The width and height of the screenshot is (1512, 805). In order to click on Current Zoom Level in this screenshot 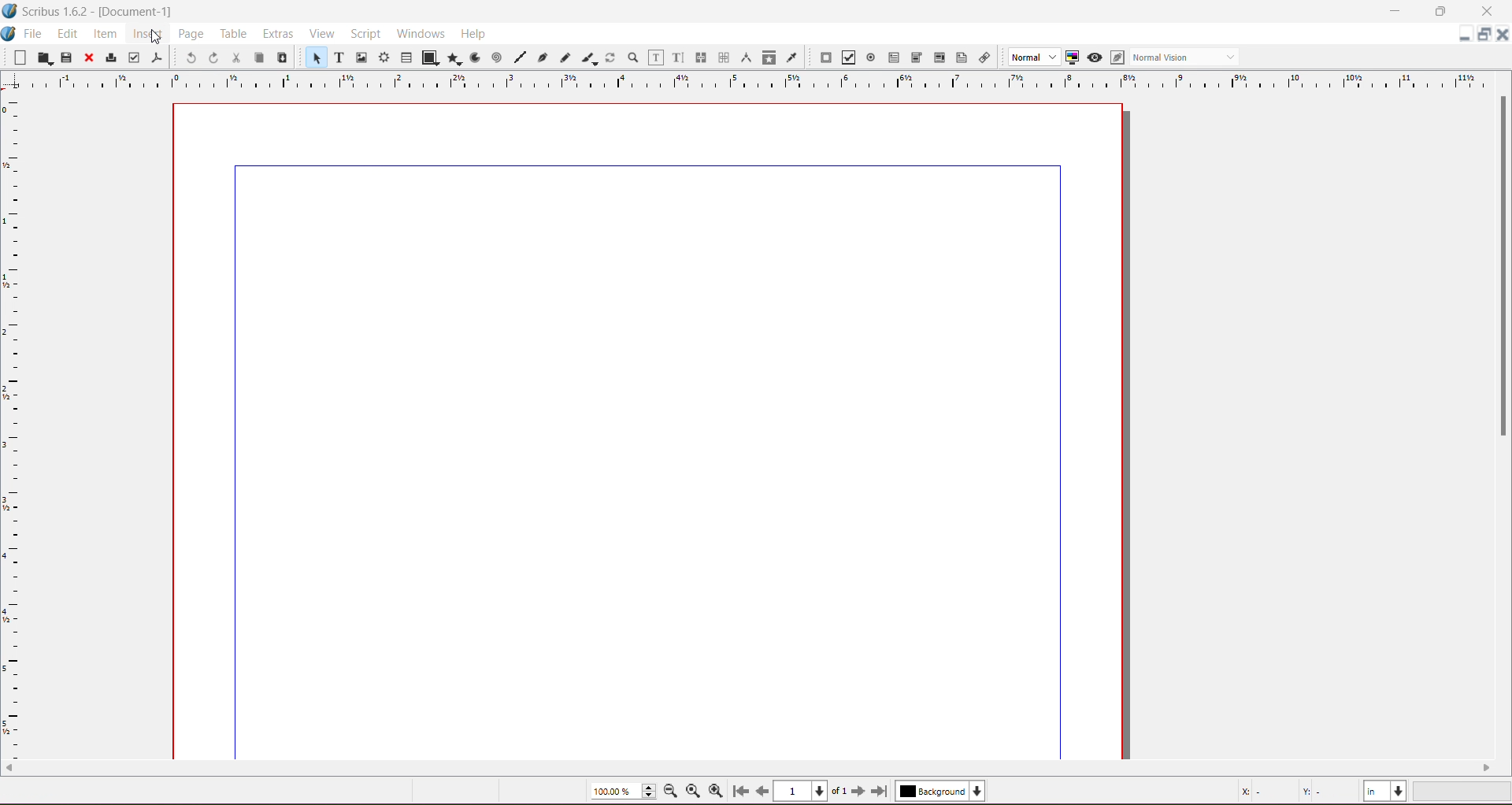, I will do `click(624, 791)`.